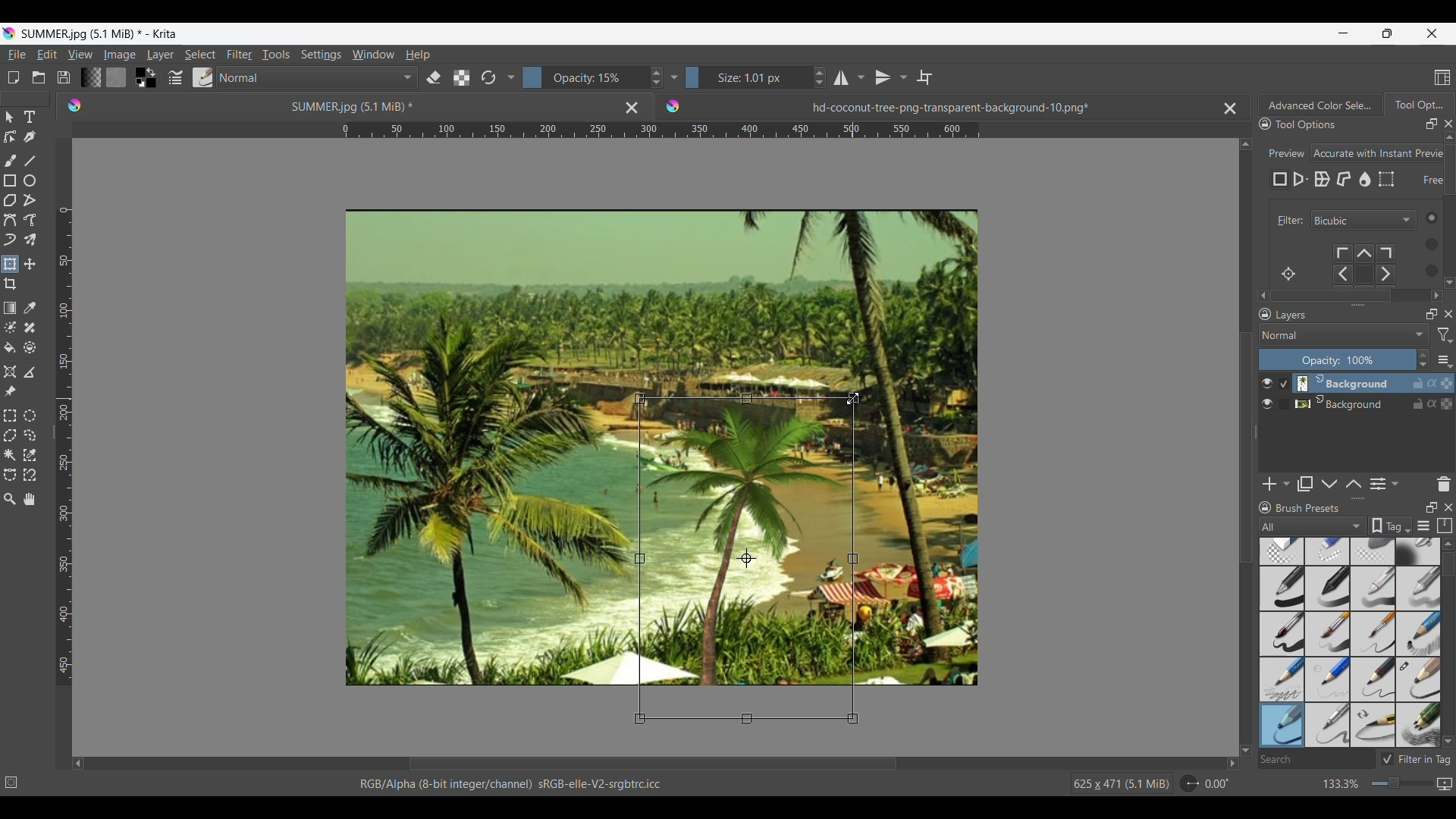 This screenshot has height=819, width=1456. I want to click on Preserve alpha, so click(461, 78).